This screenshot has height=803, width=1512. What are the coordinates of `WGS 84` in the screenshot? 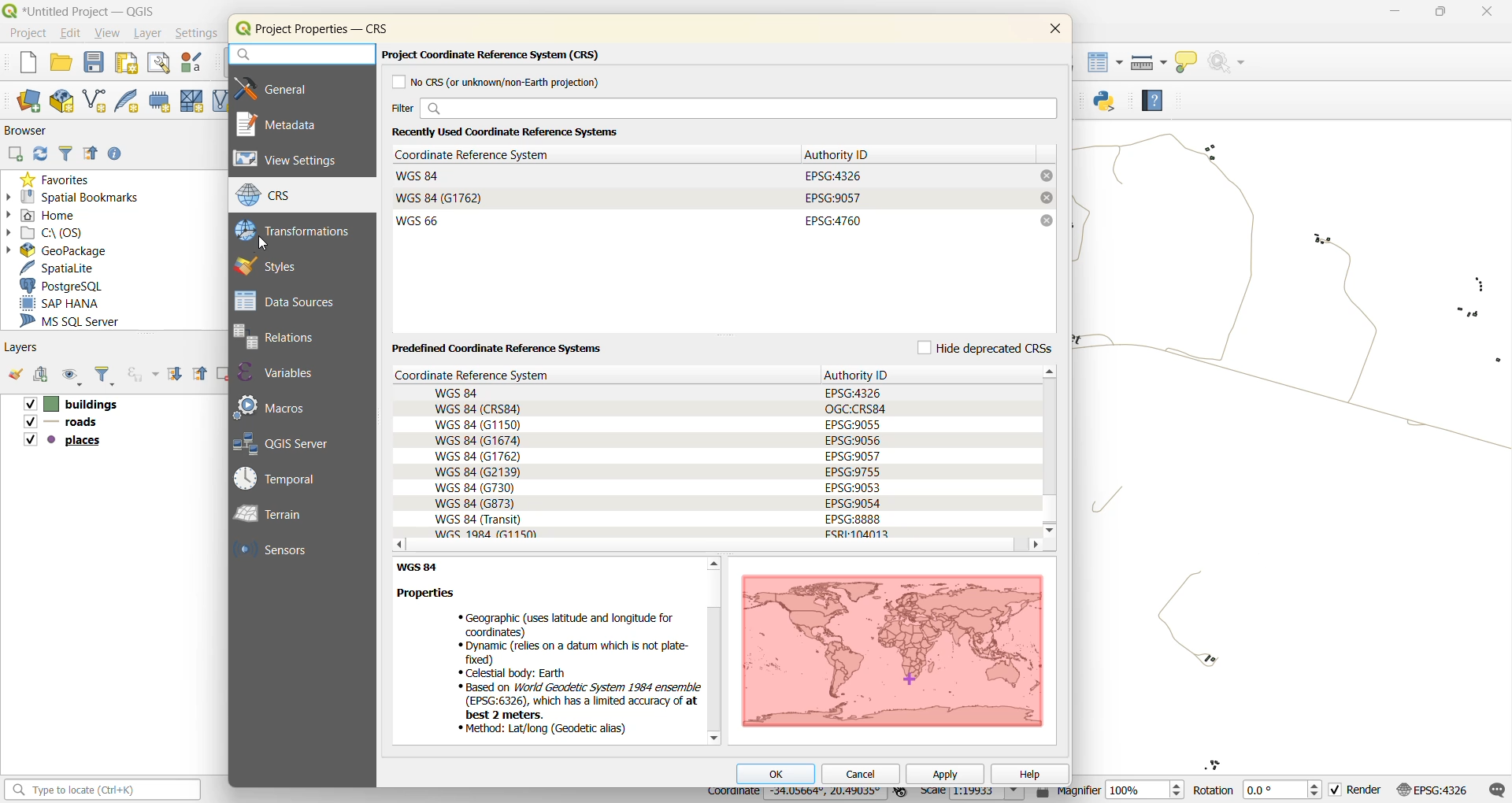 It's located at (460, 392).